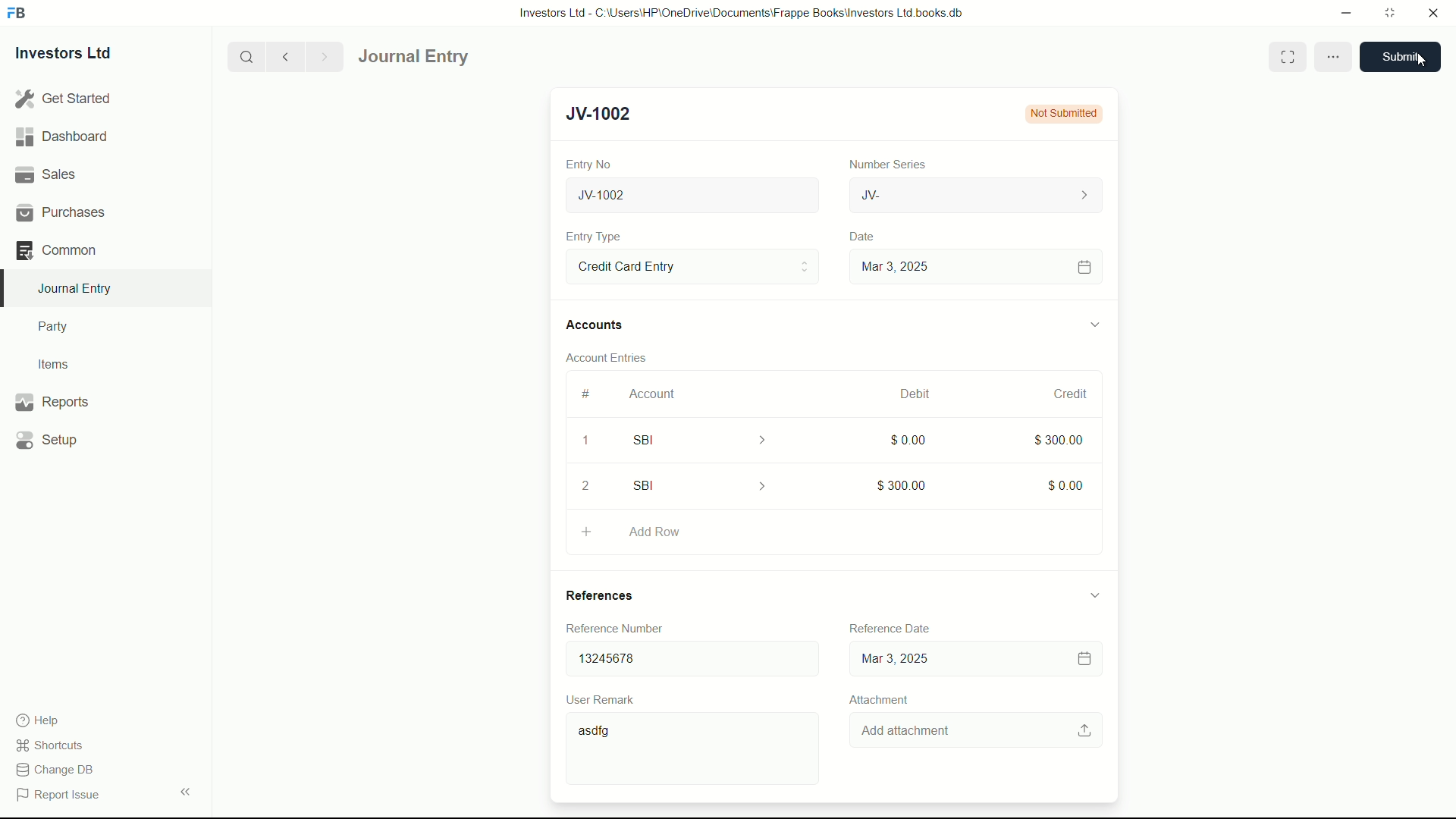 This screenshot has height=819, width=1456. What do you see at coordinates (1072, 394) in the screenshot?
I see `credit` at bounding box center [1072, 394].